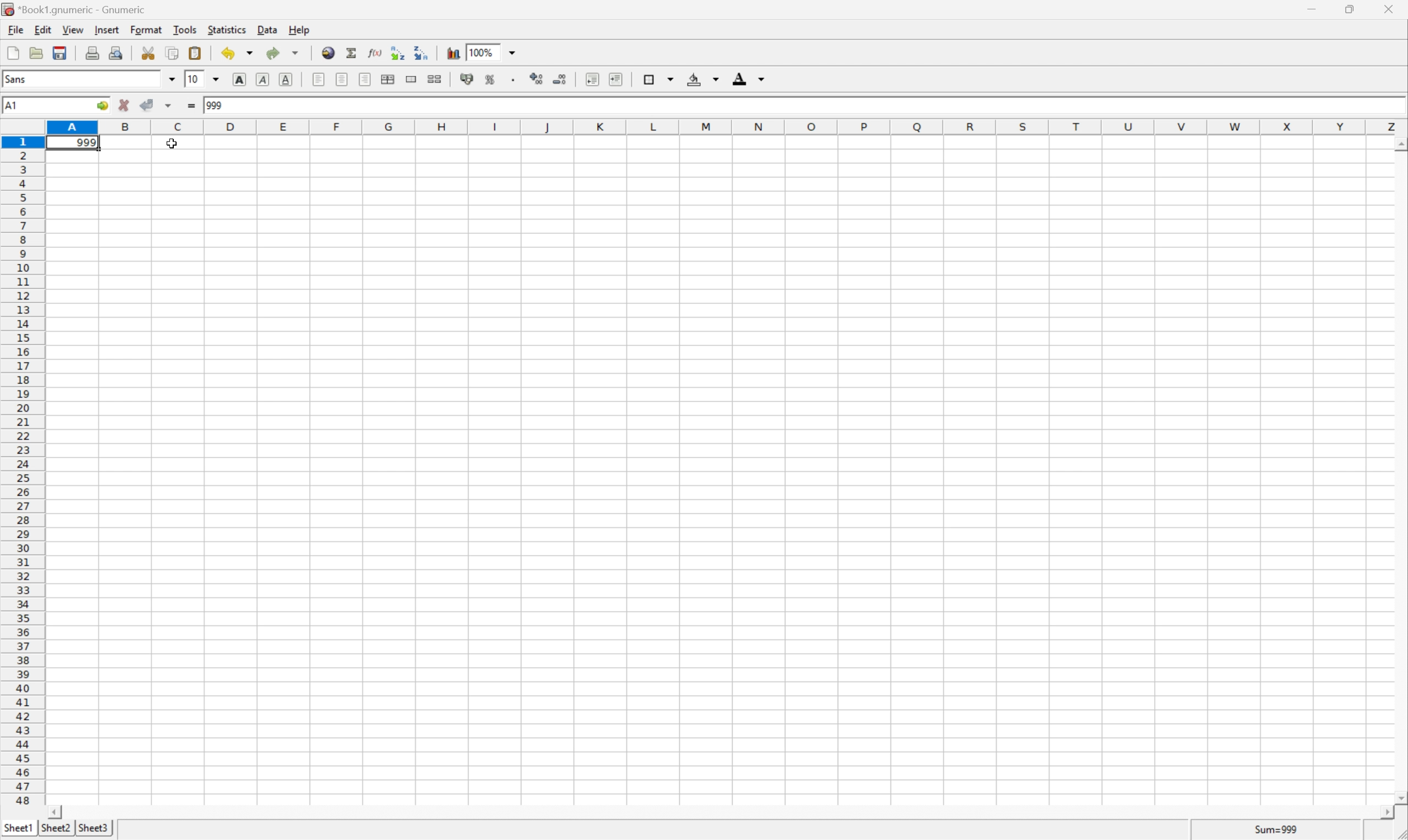  Describe the element at coordinates (1399, 799) in the screenshot. I see `scroll down` at that location.